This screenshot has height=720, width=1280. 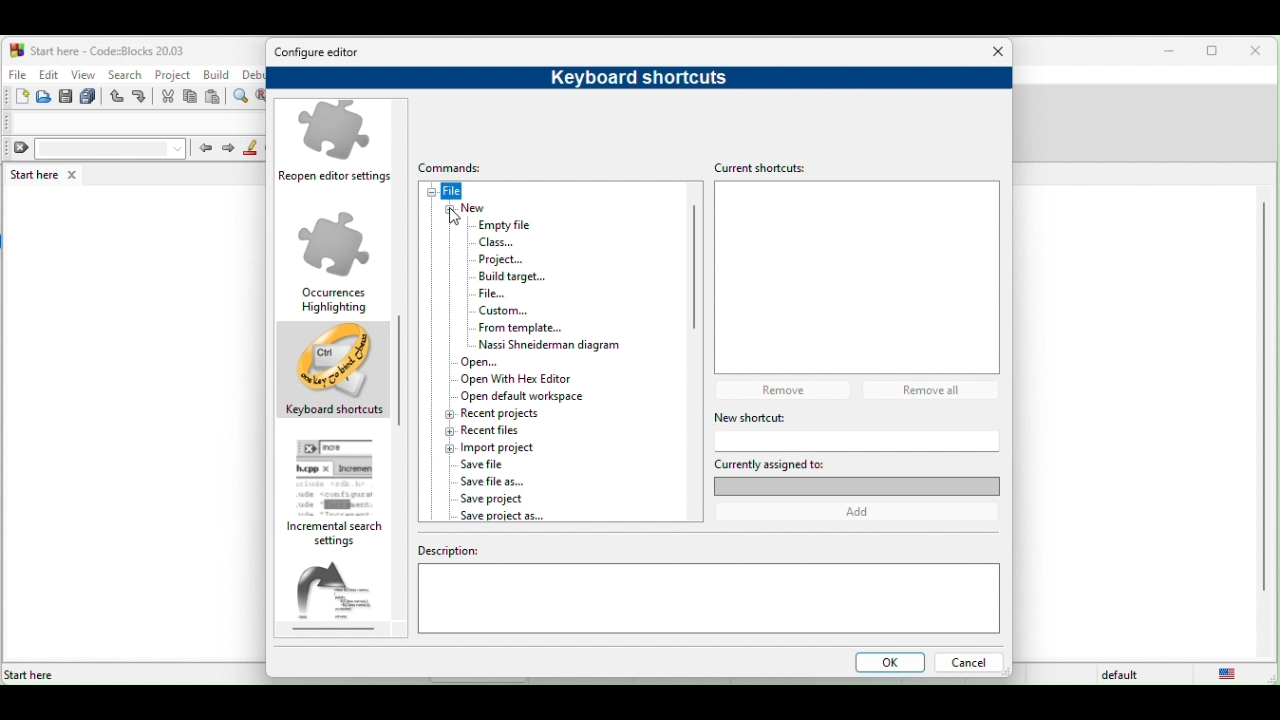 What do you see at coordinates (768, 167) in the screenshot?
I see `current shortcuts` at bounding box center [768, 167].